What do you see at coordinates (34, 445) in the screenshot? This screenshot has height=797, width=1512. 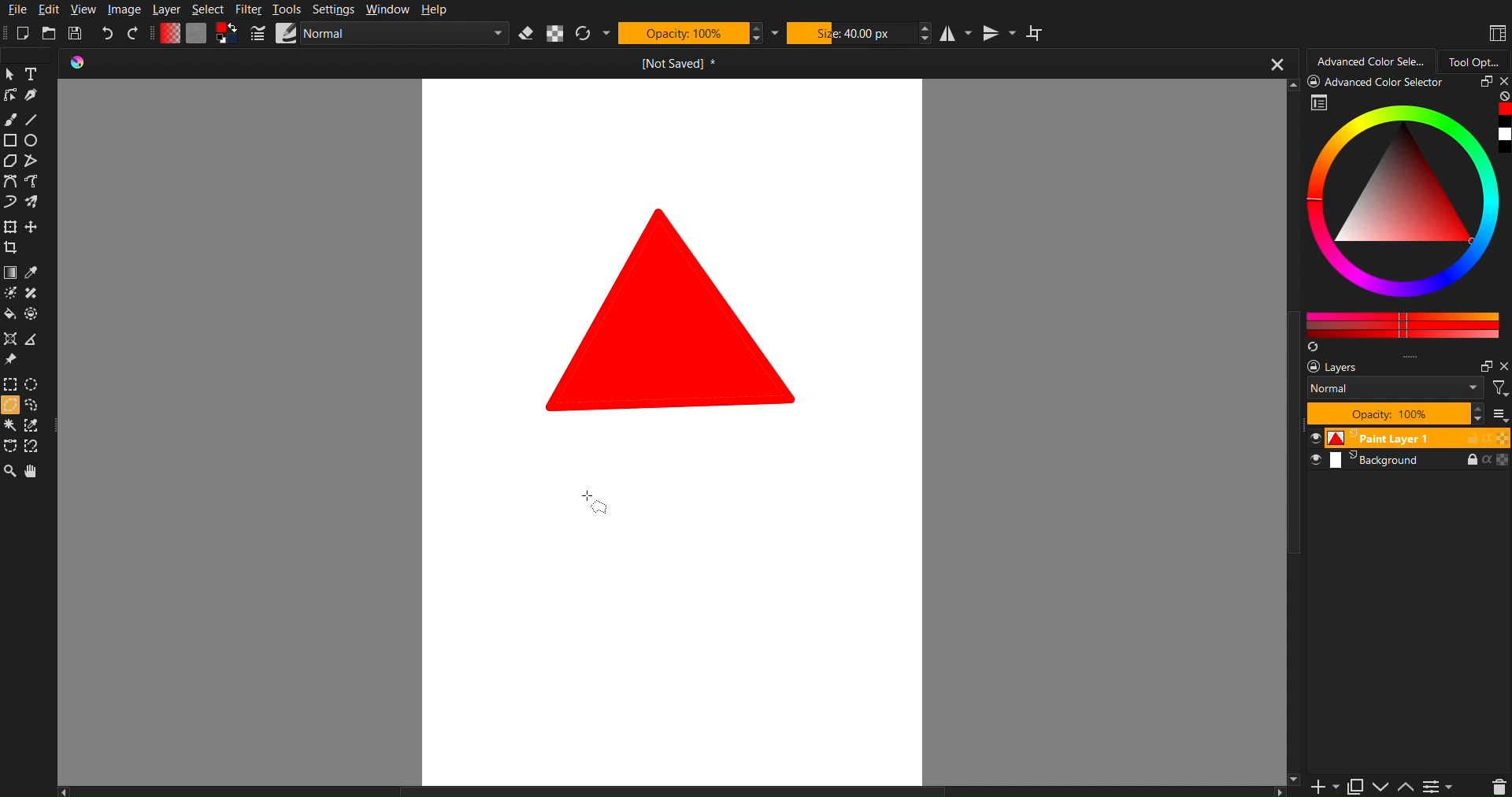 I see `Angle` at bounding box center [34, 445].